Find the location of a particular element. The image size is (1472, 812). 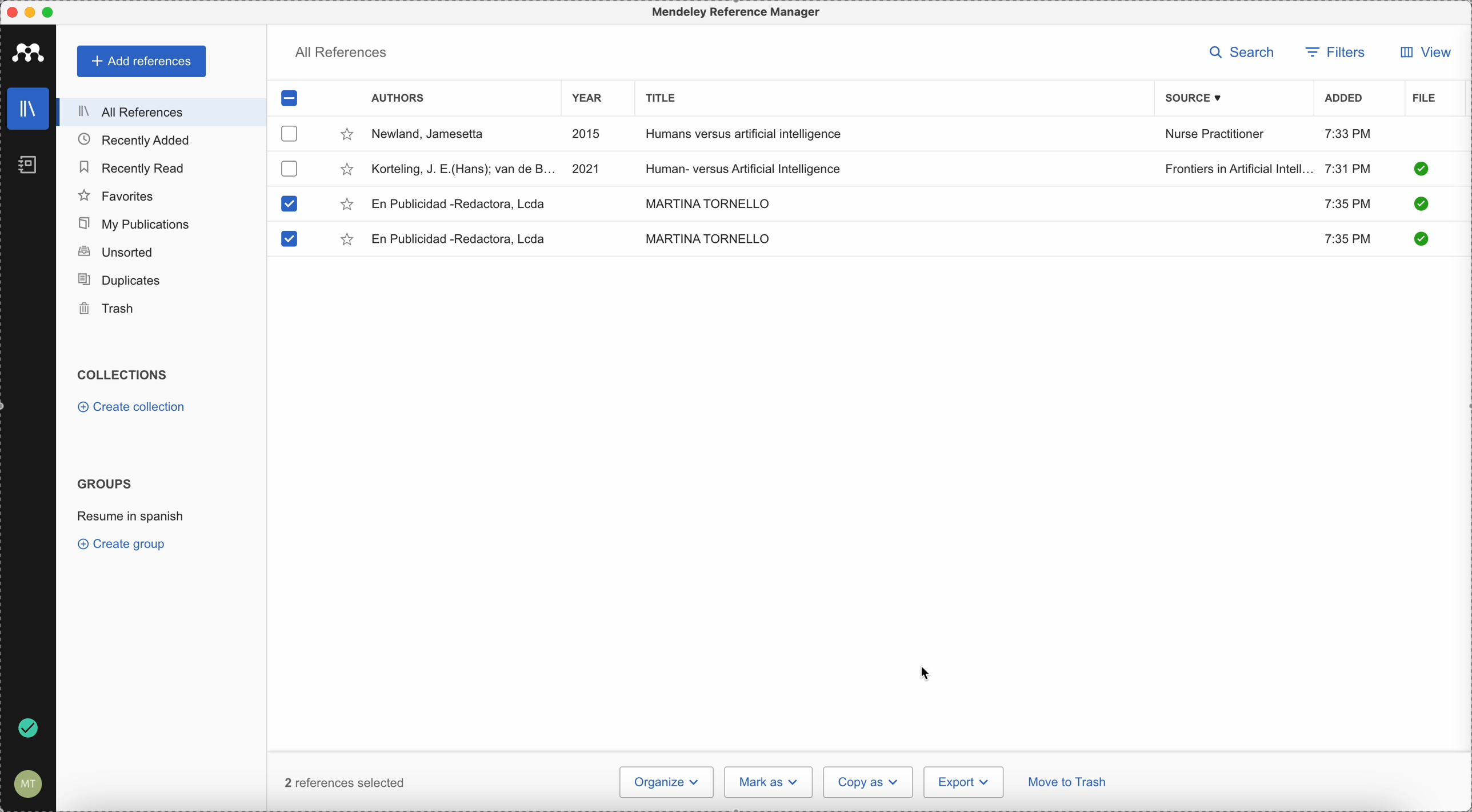

checkbox is located at coordinates (287, 168).